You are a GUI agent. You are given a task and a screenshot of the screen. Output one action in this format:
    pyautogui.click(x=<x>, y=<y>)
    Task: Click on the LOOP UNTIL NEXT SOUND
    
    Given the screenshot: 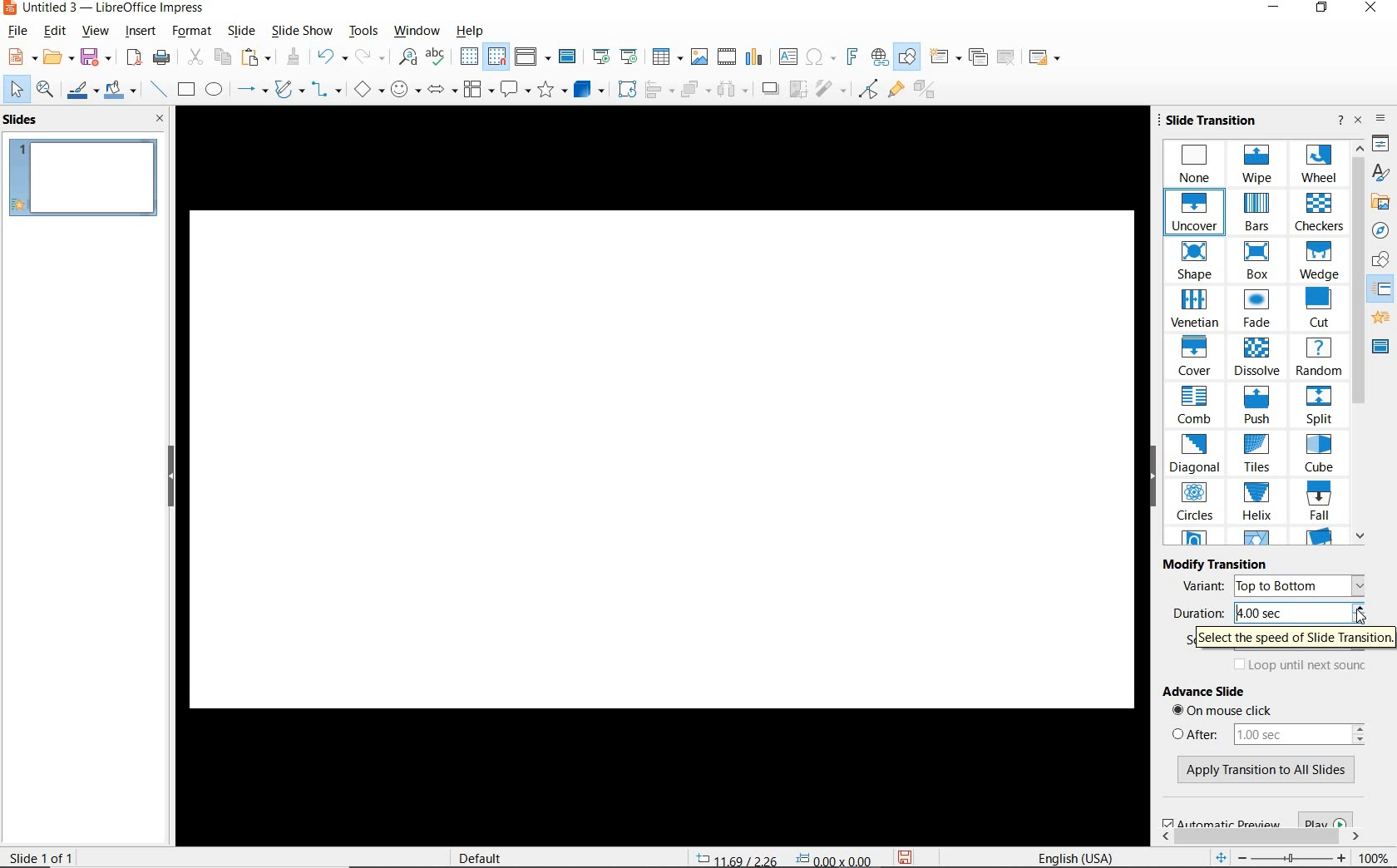 What is the action you would take?
    pyautogui.click(x=1298, y=667)
    